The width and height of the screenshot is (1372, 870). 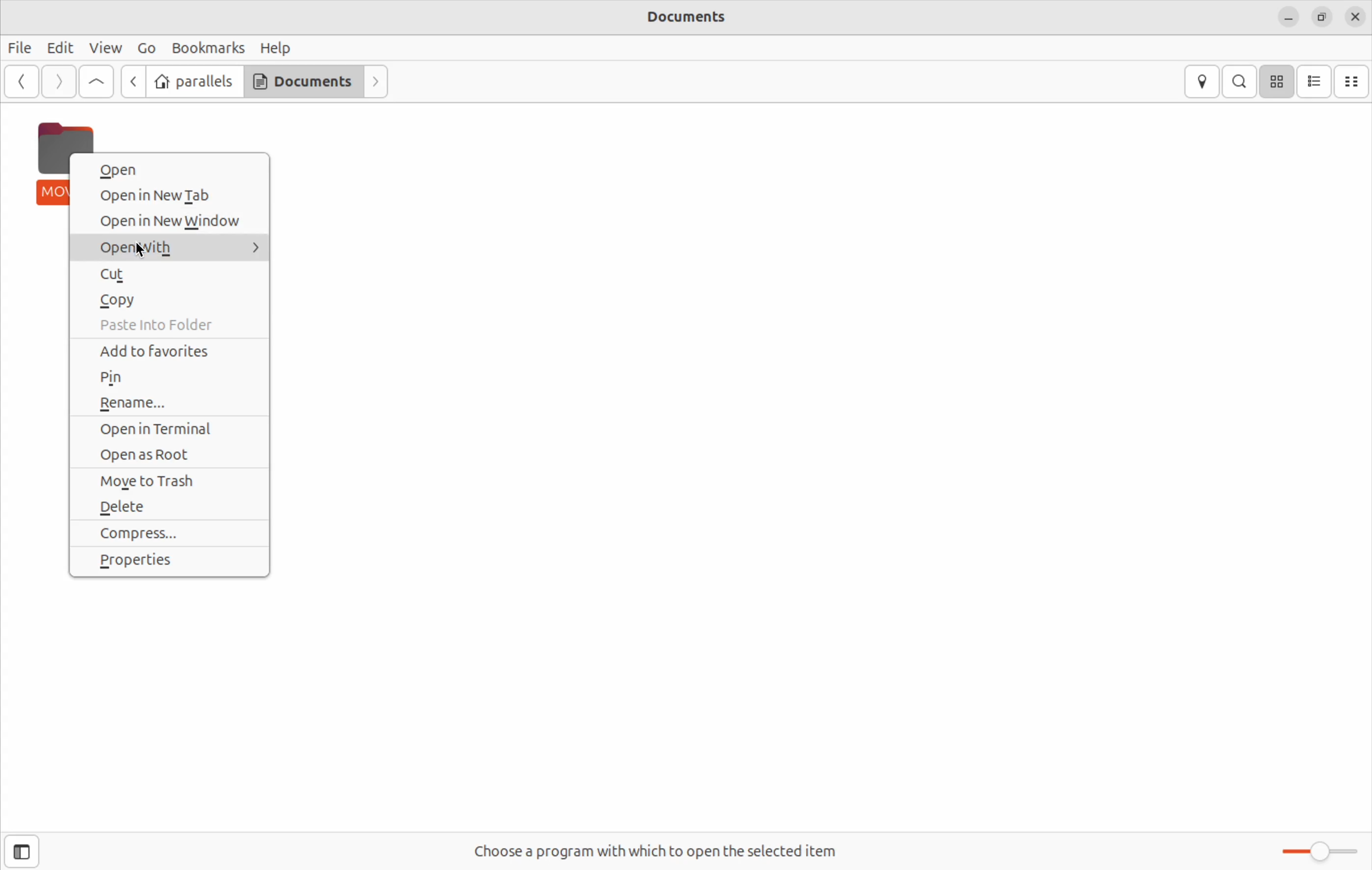 I want to click on compact view, so click(x=1354, y=80).